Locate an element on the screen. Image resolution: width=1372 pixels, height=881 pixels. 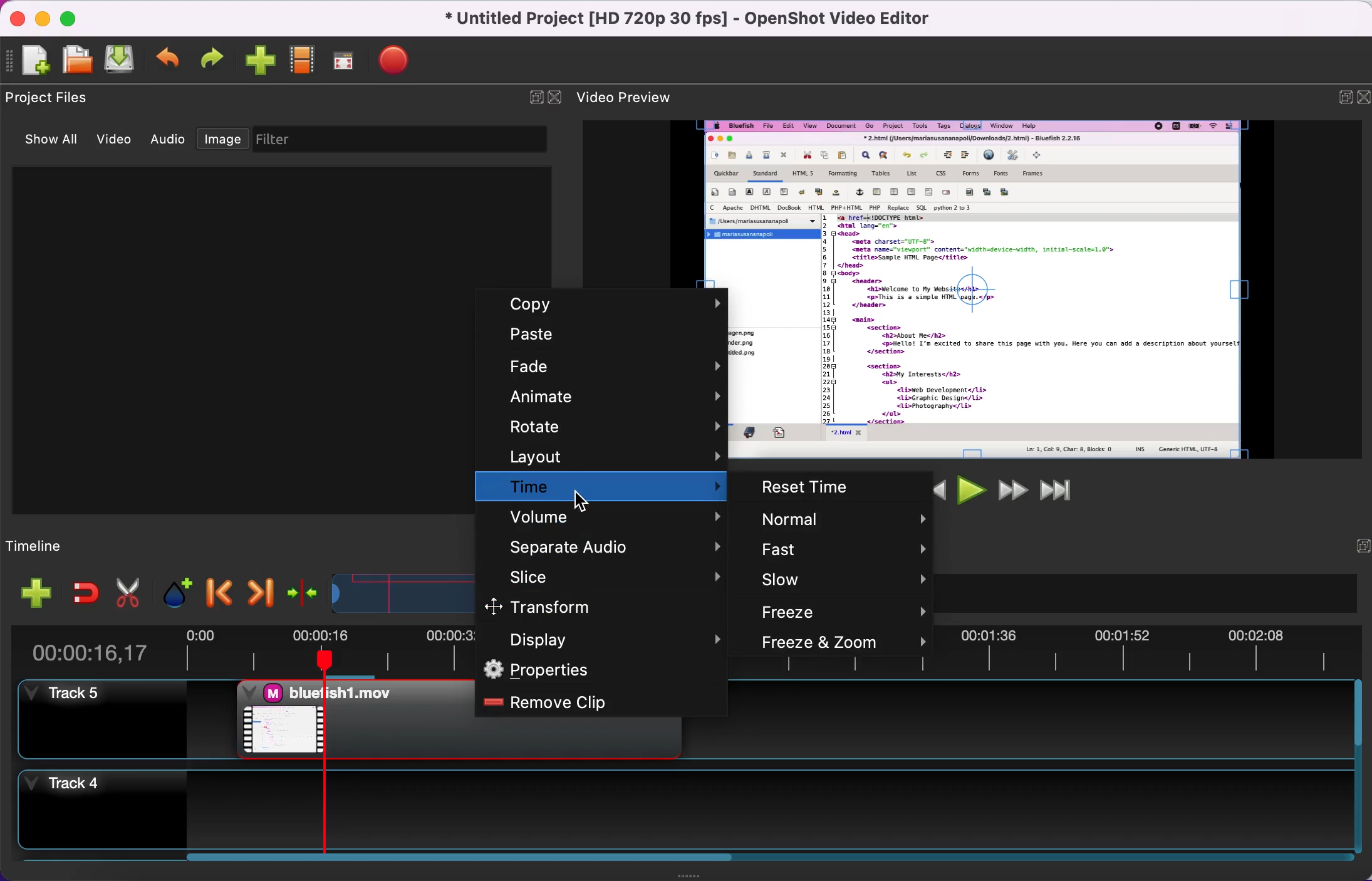
timeline is located at coordinates (390, 590).